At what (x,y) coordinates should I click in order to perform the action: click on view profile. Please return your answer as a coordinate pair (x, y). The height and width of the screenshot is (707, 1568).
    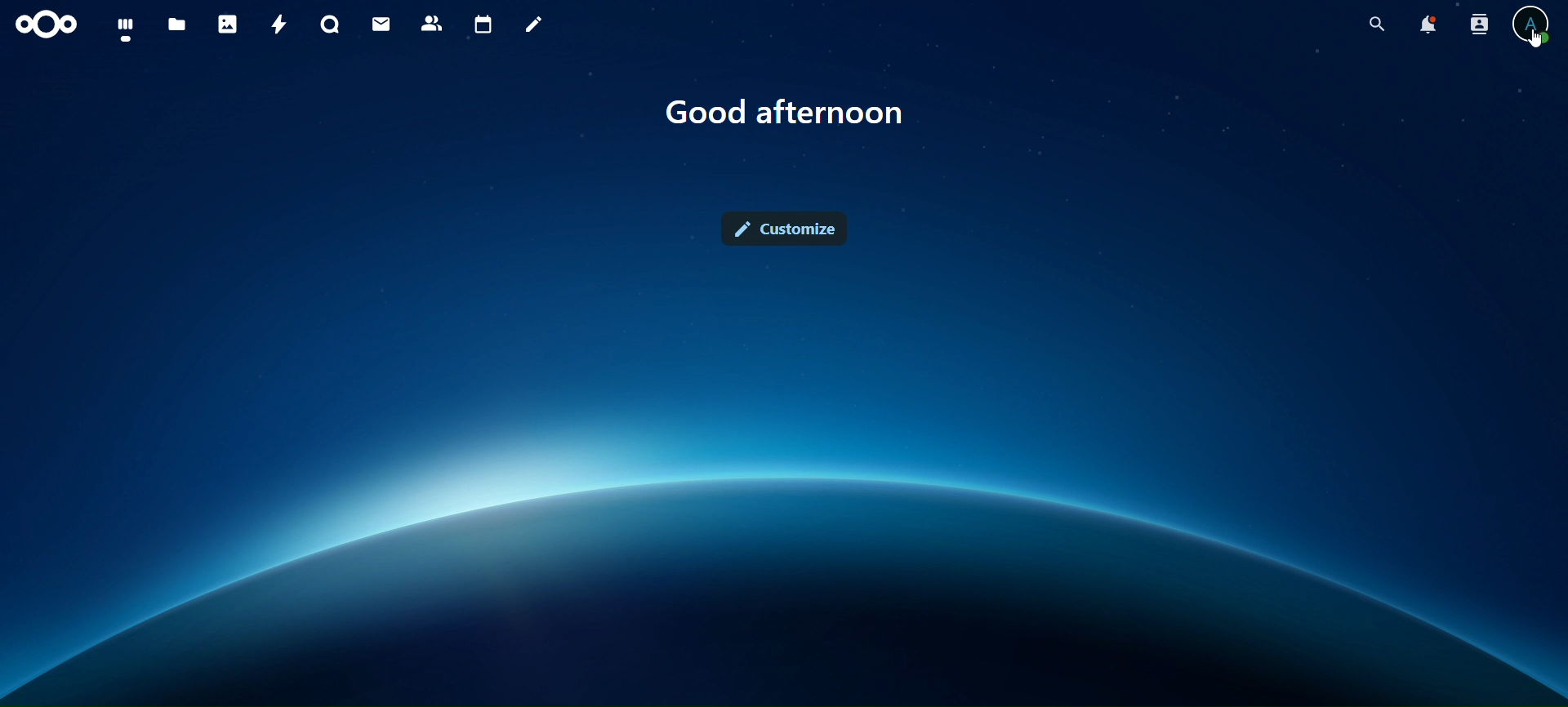
    Looking at the image, I should click on (1530, 24).